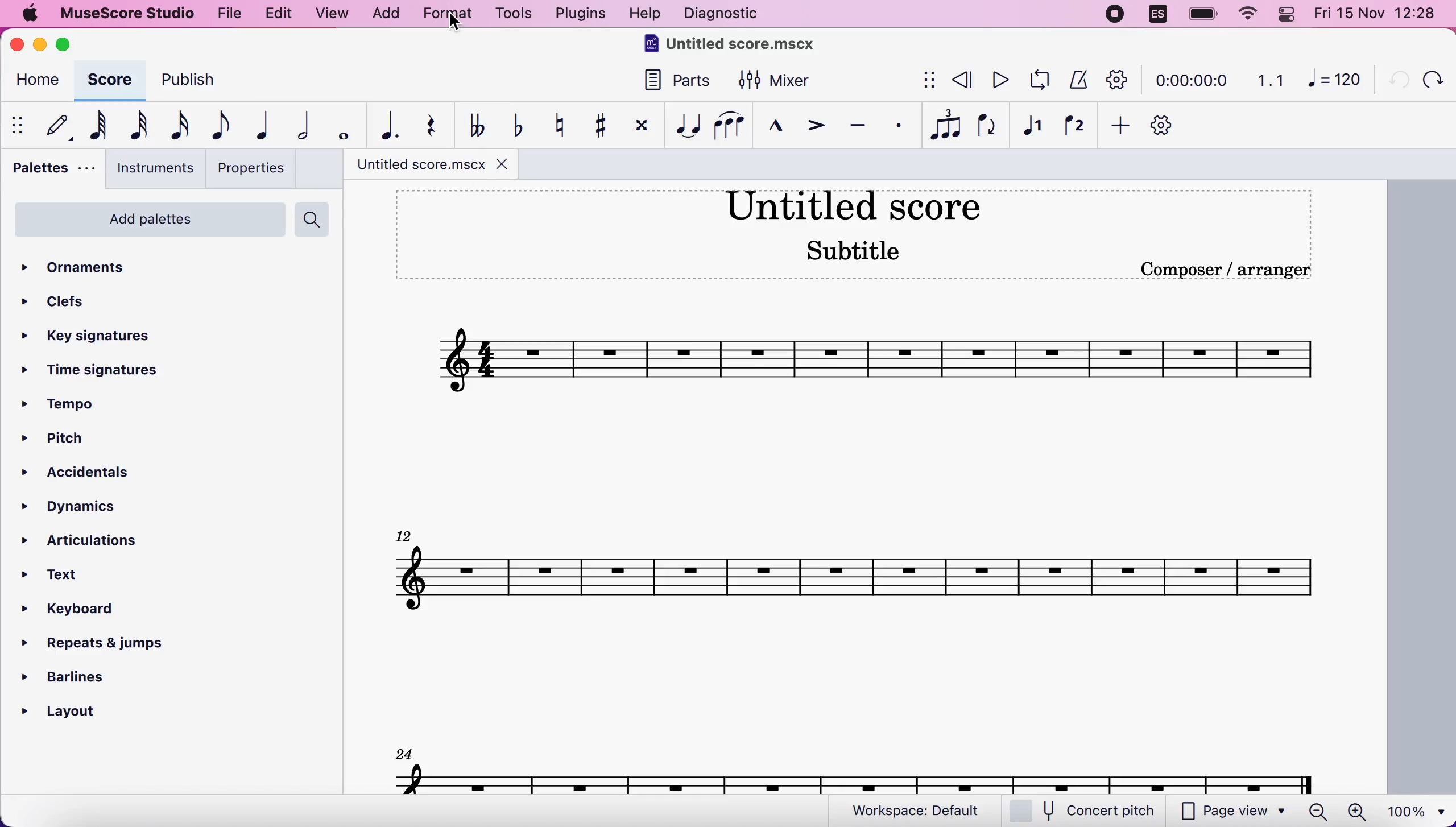 The image size is (1456, 827). I want to click on flip direction, so click(988, 126).